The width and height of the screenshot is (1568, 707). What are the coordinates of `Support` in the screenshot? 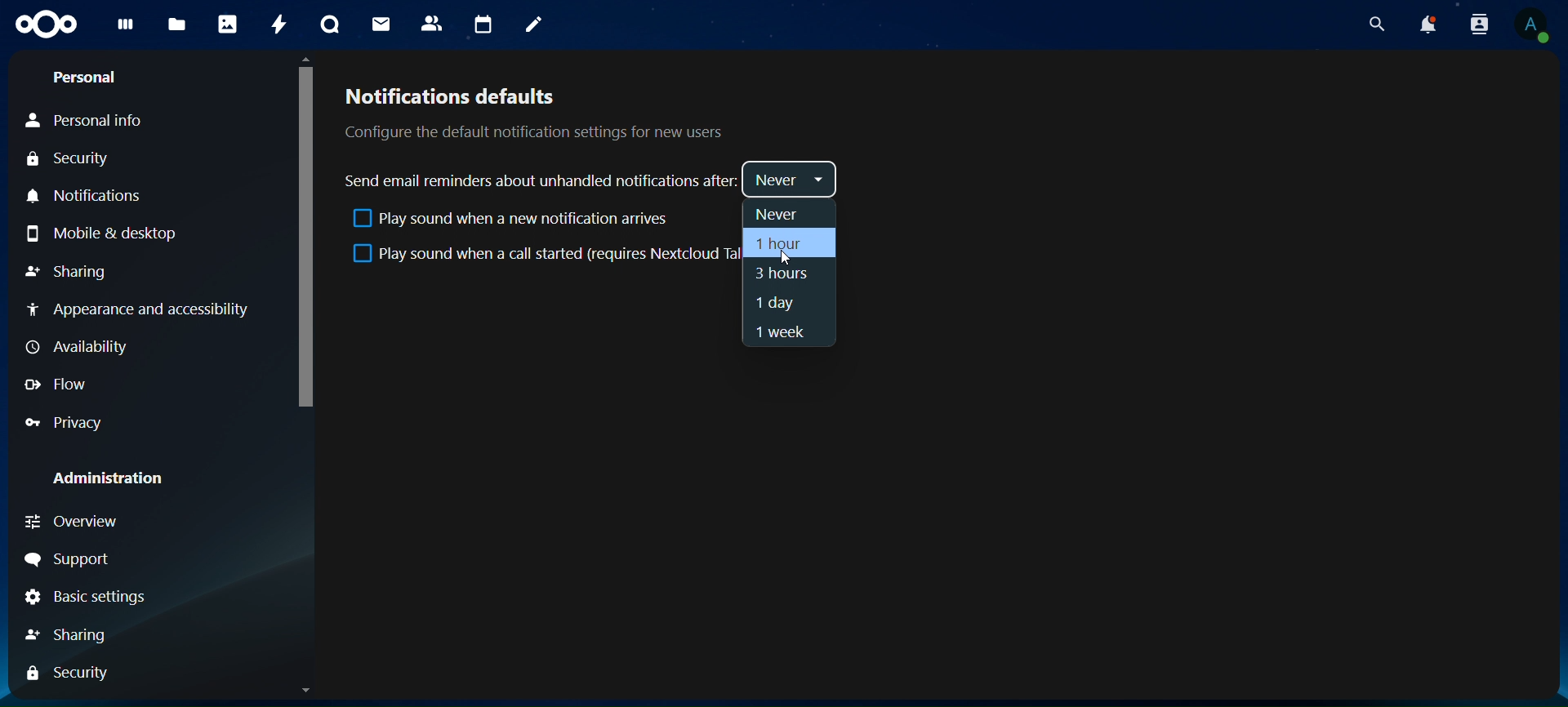 It's located at (68, 559).